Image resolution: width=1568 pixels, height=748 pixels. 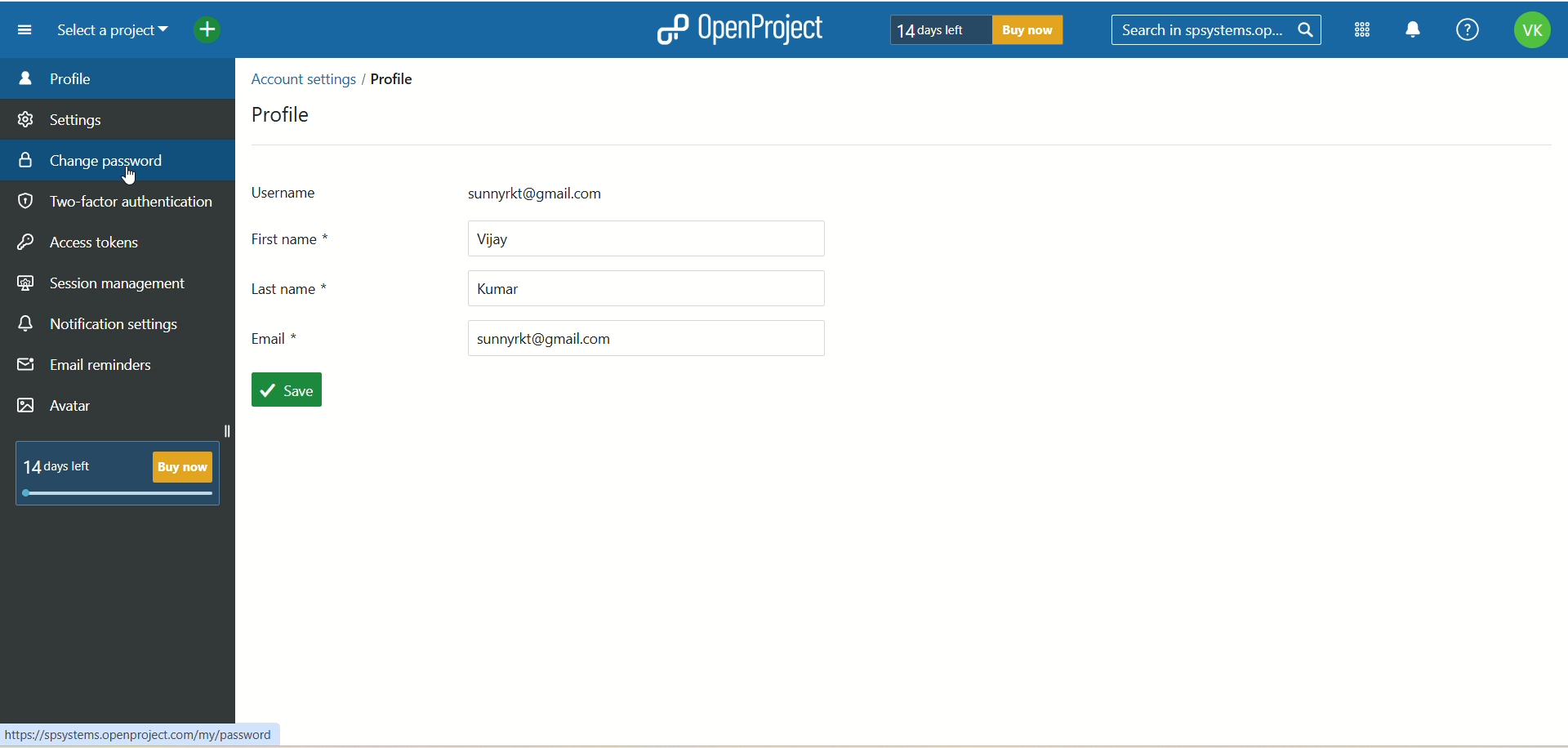 What do you see at coordinates (136, 181) in the screenshot?
I see `cursor` at bounding box center [136, 181].